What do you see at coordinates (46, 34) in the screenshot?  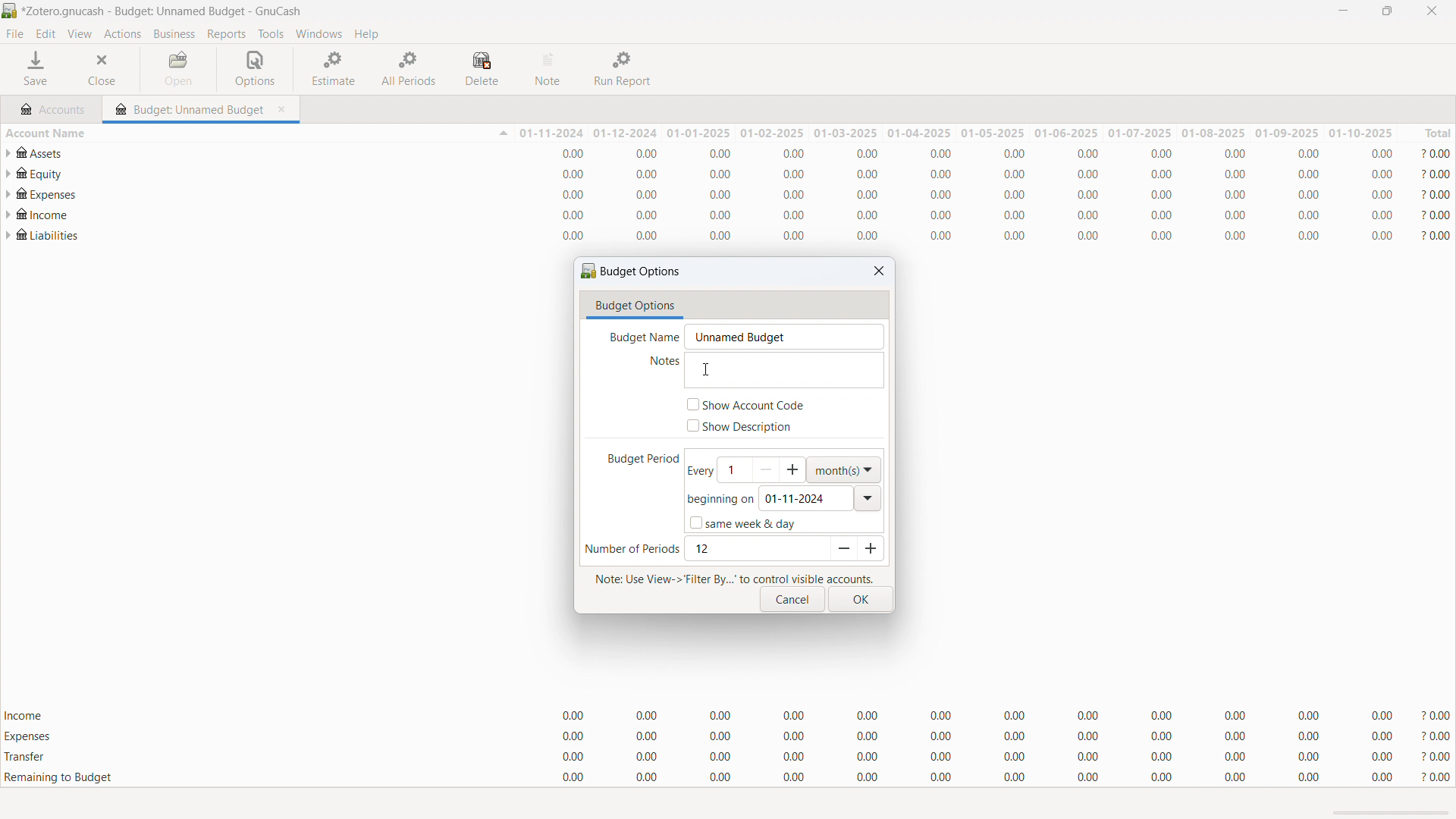 I see `edit` at bounding box center [46, 34].